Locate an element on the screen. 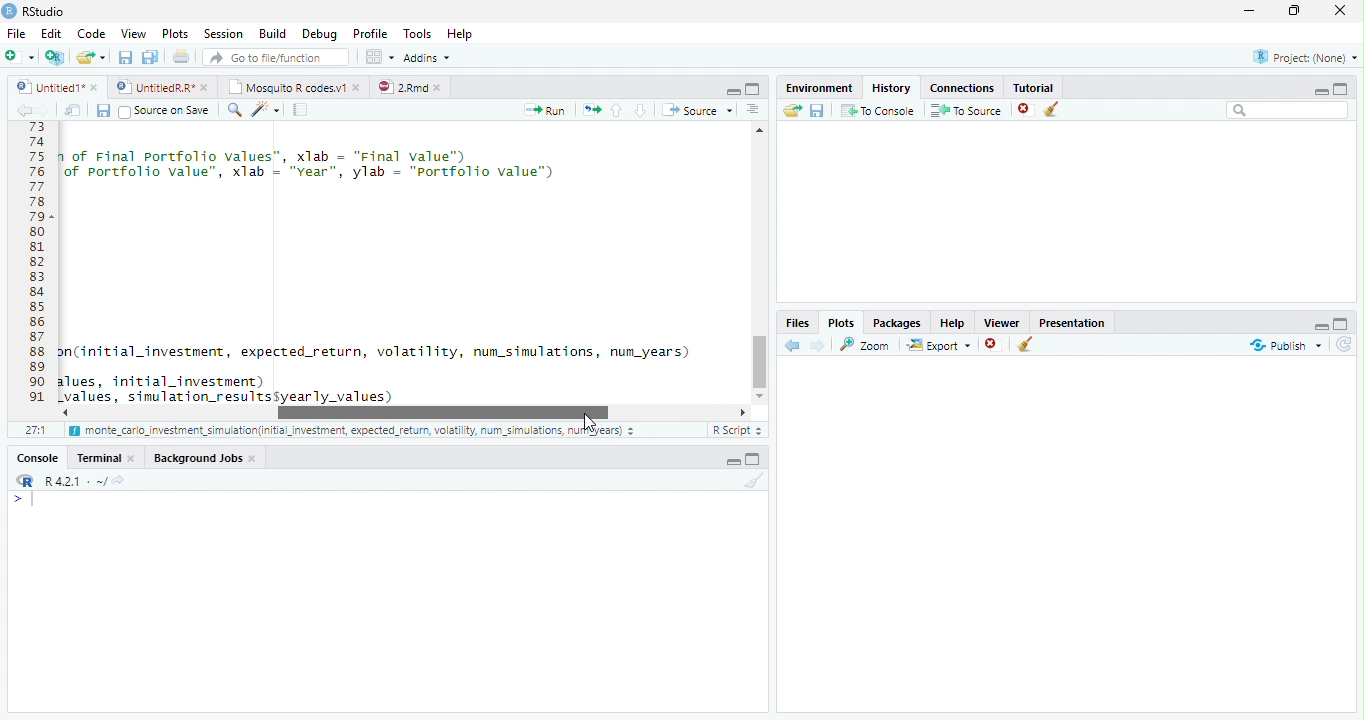 The width and height of the screenshot is (1364, 720). Source is located at coordinates (696, 109).